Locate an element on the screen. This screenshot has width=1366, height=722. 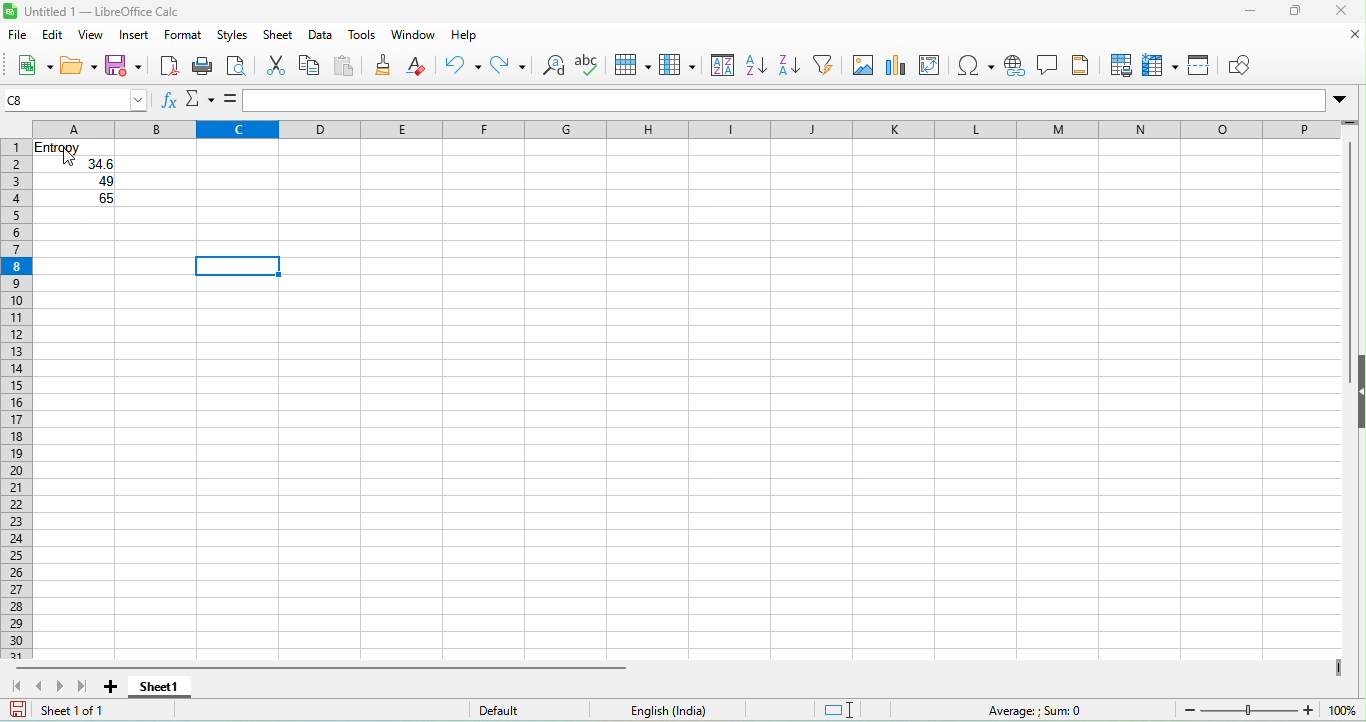
add new sheet is located at coordinates (111, 687).